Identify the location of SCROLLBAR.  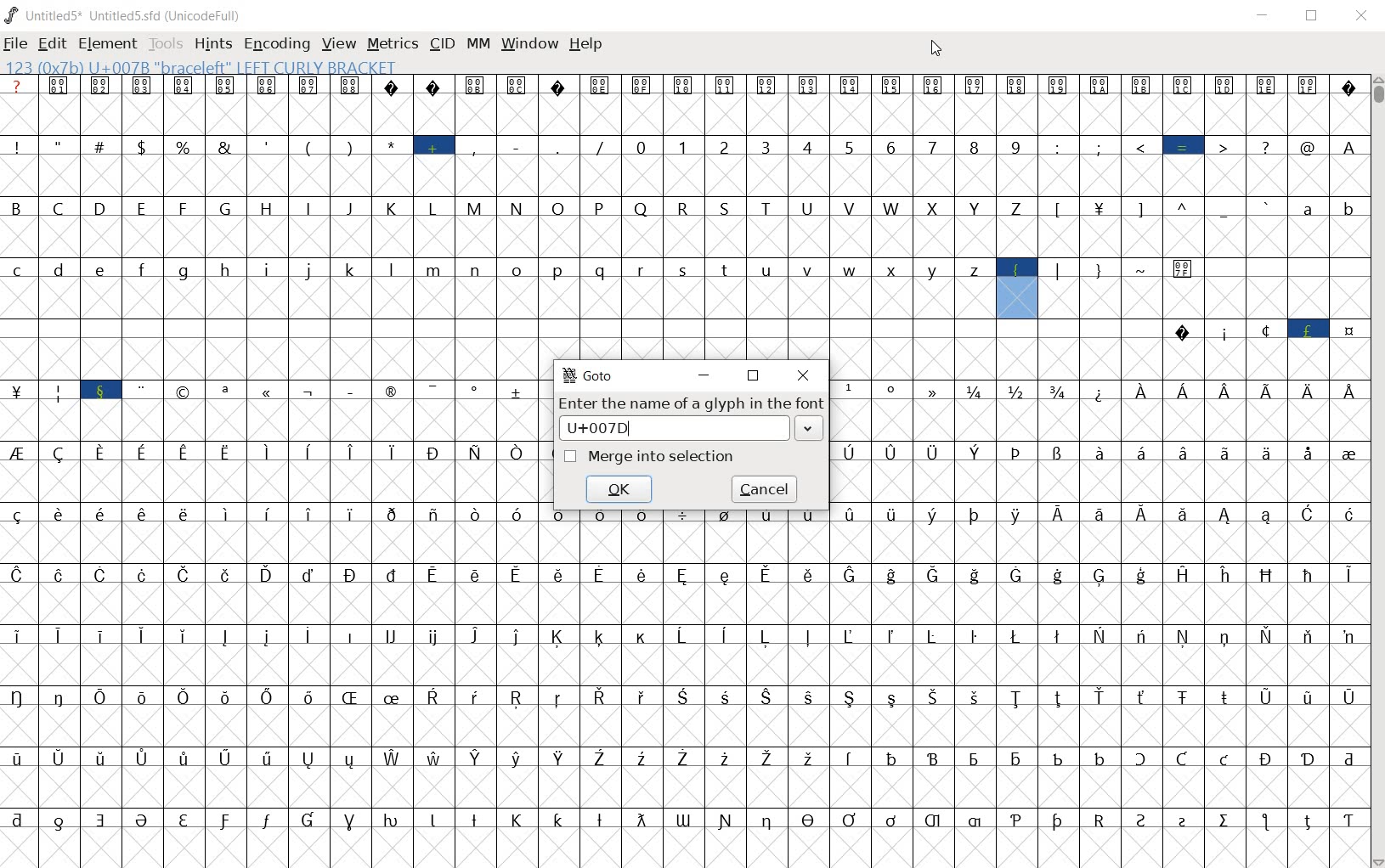
(1377, 471).